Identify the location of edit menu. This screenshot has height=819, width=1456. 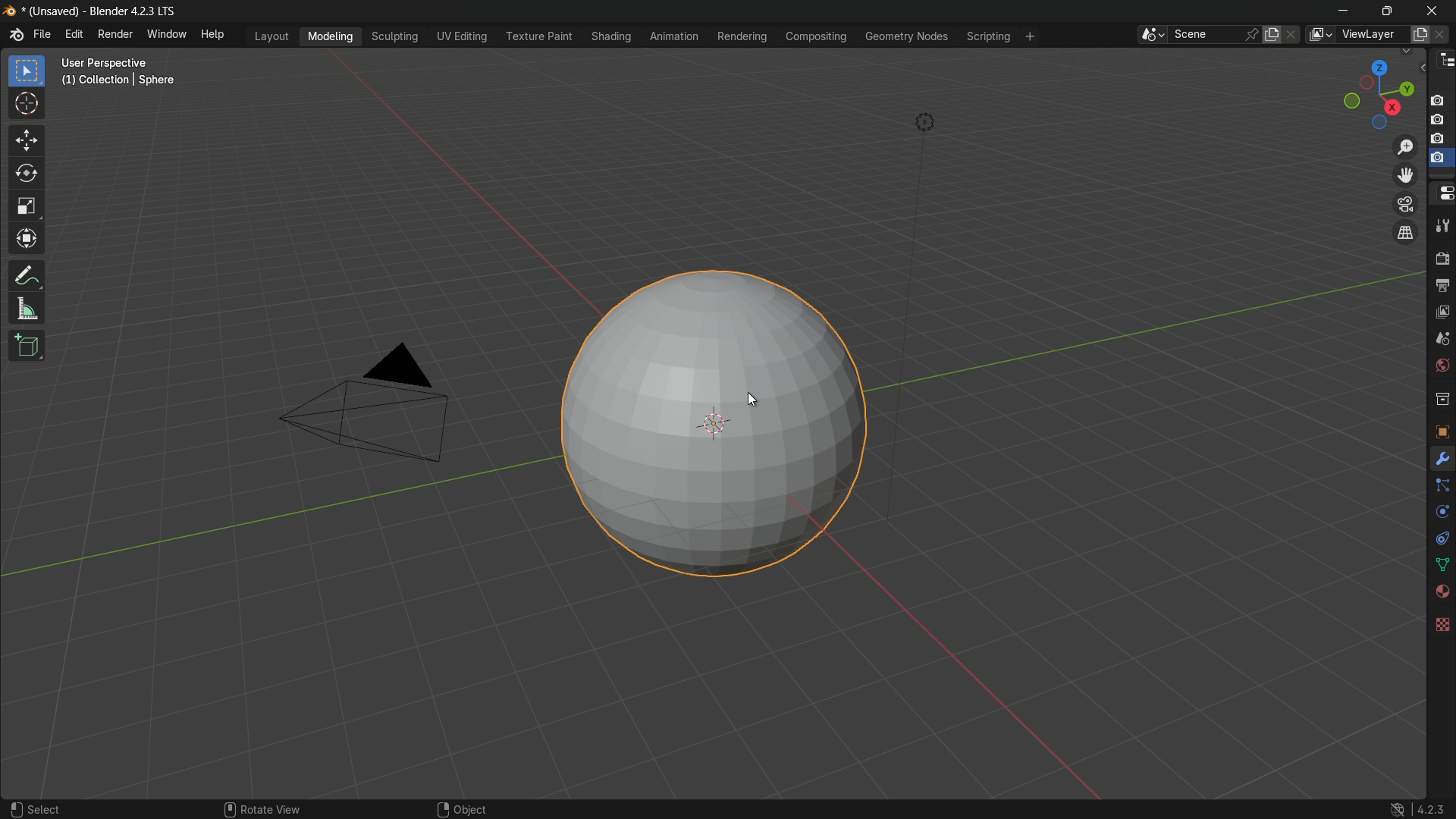
(71, 35).